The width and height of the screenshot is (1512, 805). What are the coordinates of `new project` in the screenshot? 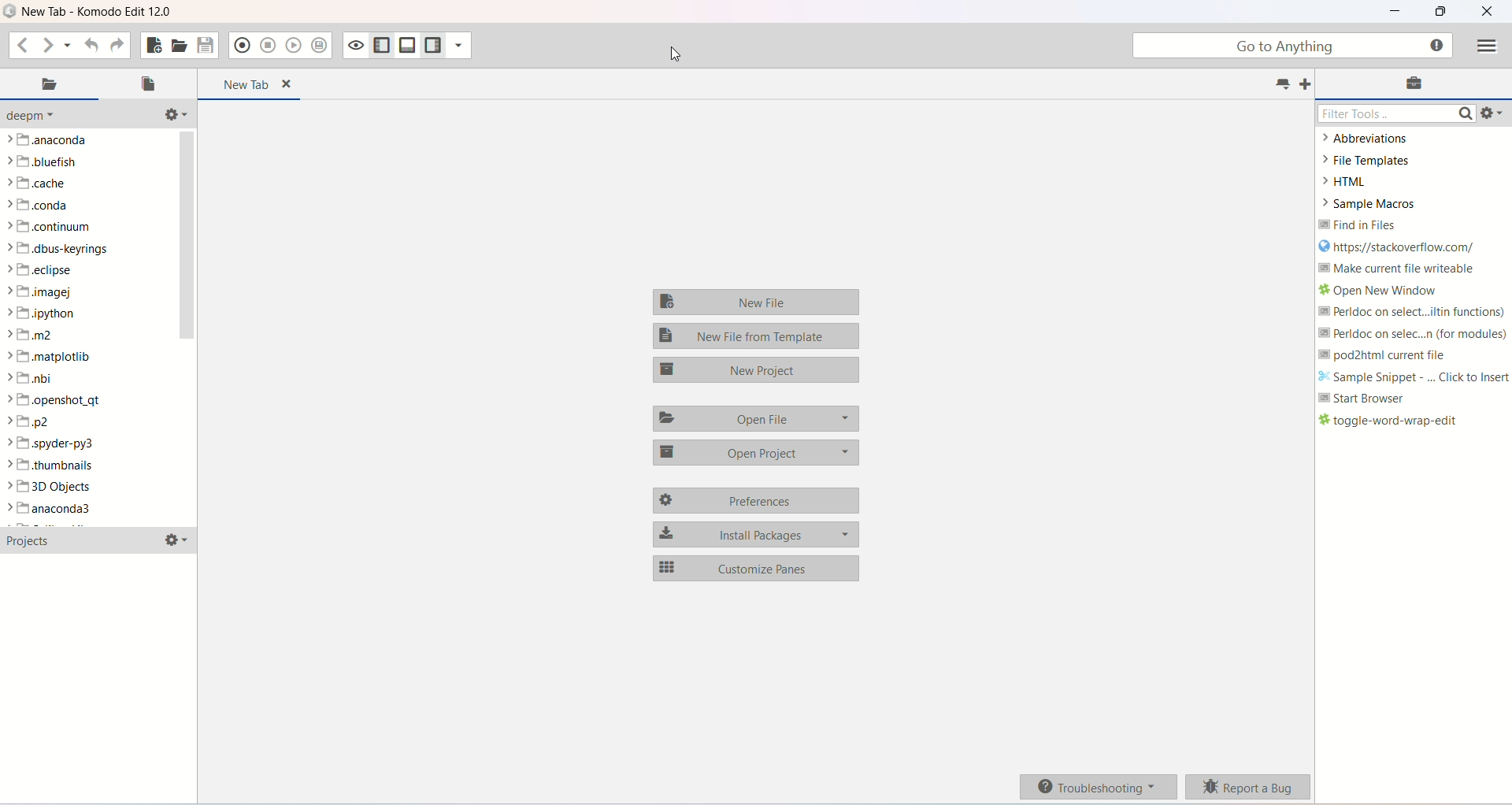 It's located at (757, 369).